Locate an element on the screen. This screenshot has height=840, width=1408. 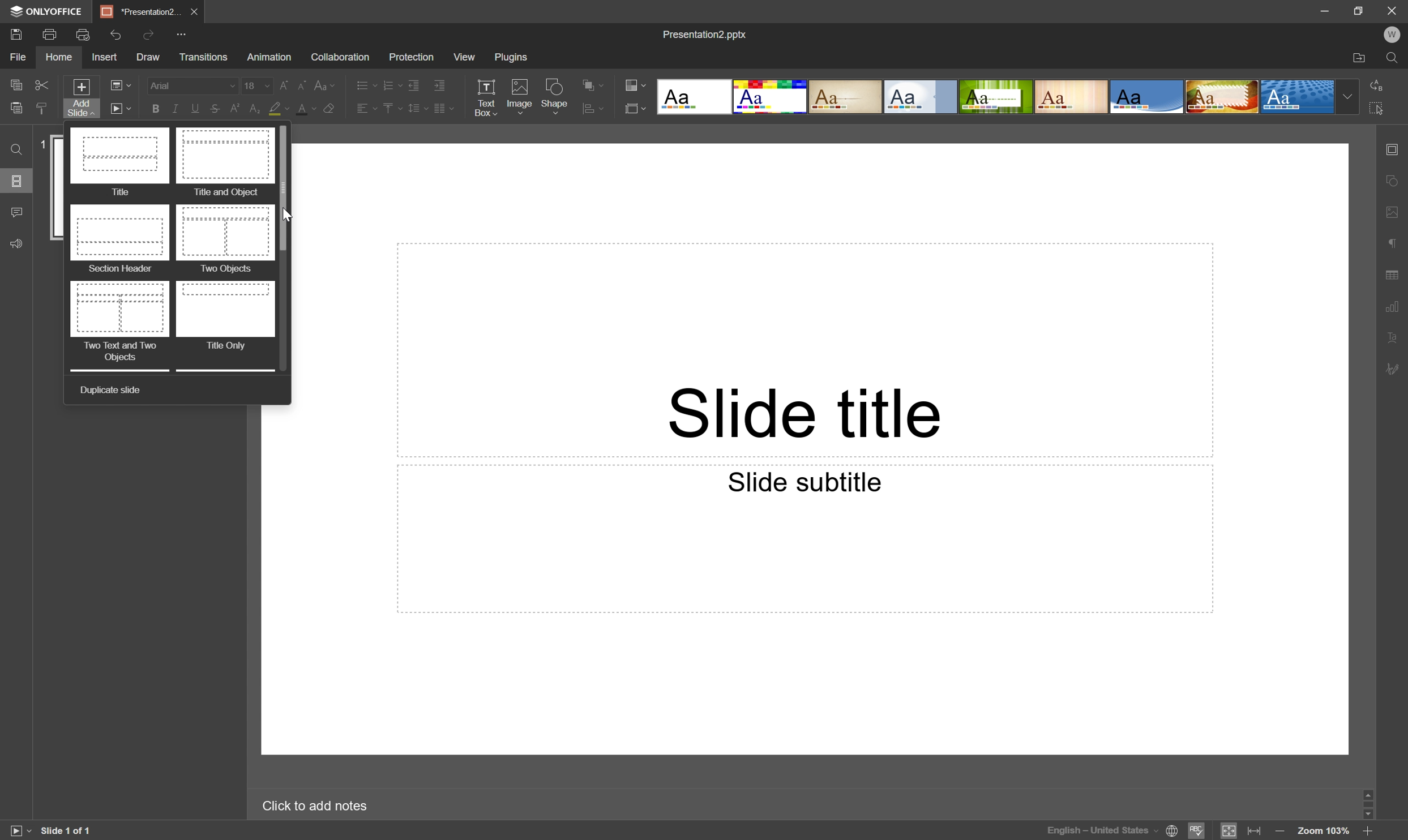
Decrement font size is located at coordinates (303, 83).